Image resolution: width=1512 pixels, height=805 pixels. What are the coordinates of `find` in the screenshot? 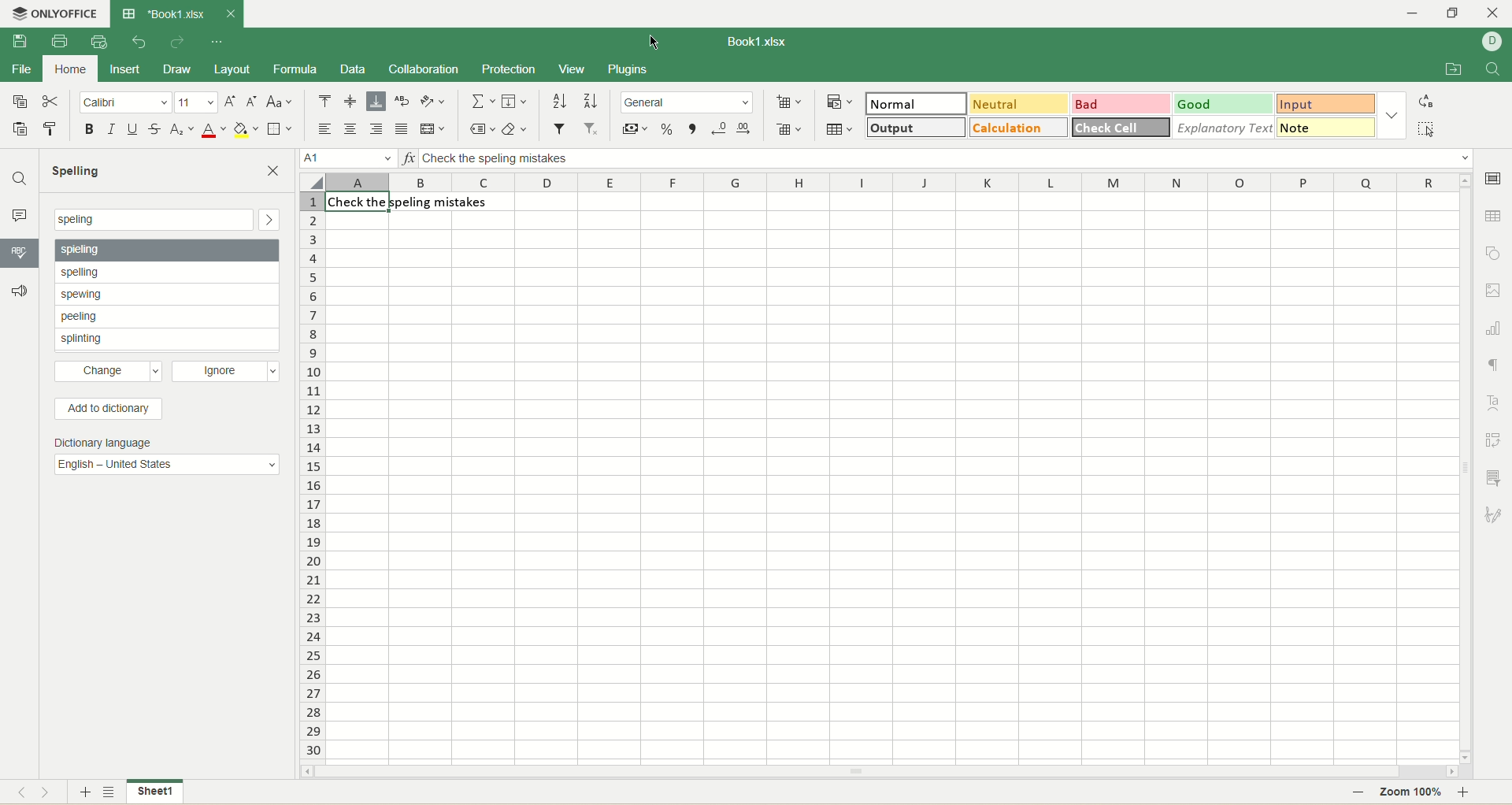 It's located at (21, 176).